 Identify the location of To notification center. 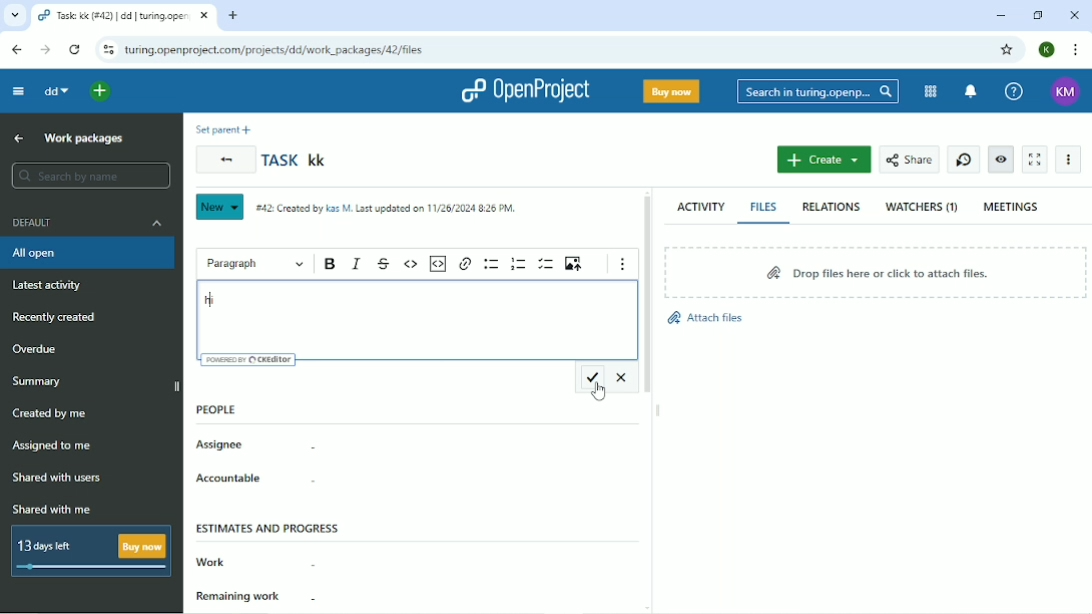
(971, 91).